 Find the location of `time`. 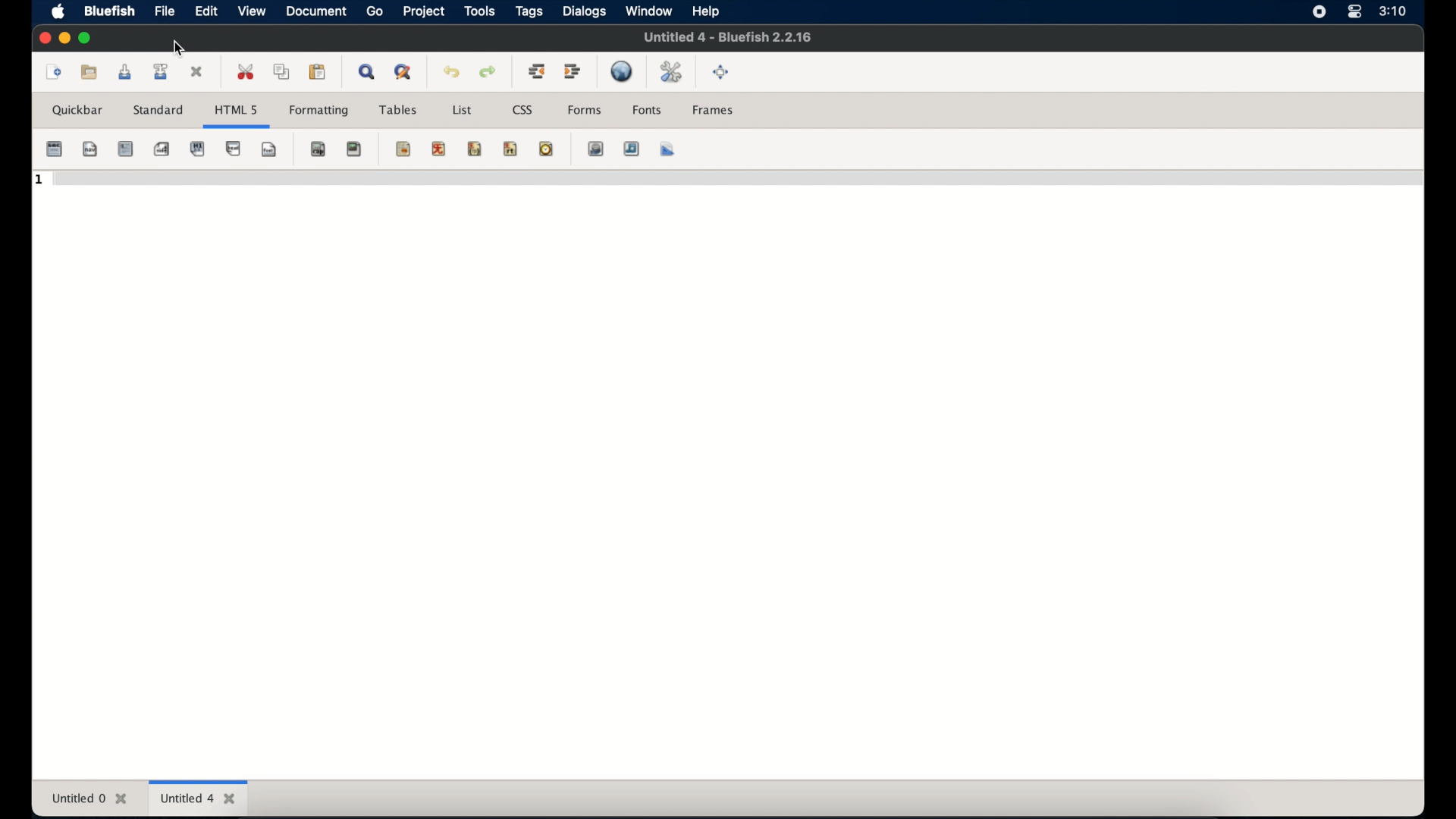

time is located at coordinates (1392, 11).